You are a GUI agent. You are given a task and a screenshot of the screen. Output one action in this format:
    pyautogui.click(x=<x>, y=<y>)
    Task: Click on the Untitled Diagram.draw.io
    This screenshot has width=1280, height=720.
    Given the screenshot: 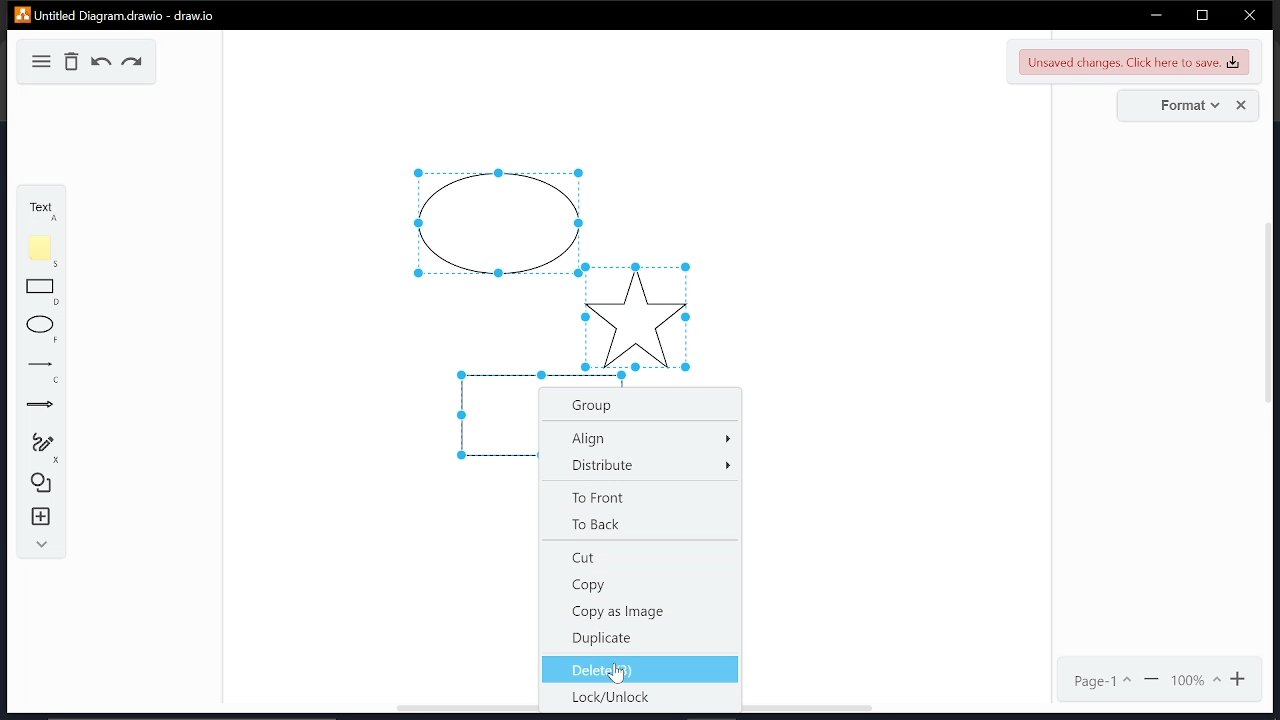 What is the action you would take?
    pyautogui.click(x=116, y=14)
    